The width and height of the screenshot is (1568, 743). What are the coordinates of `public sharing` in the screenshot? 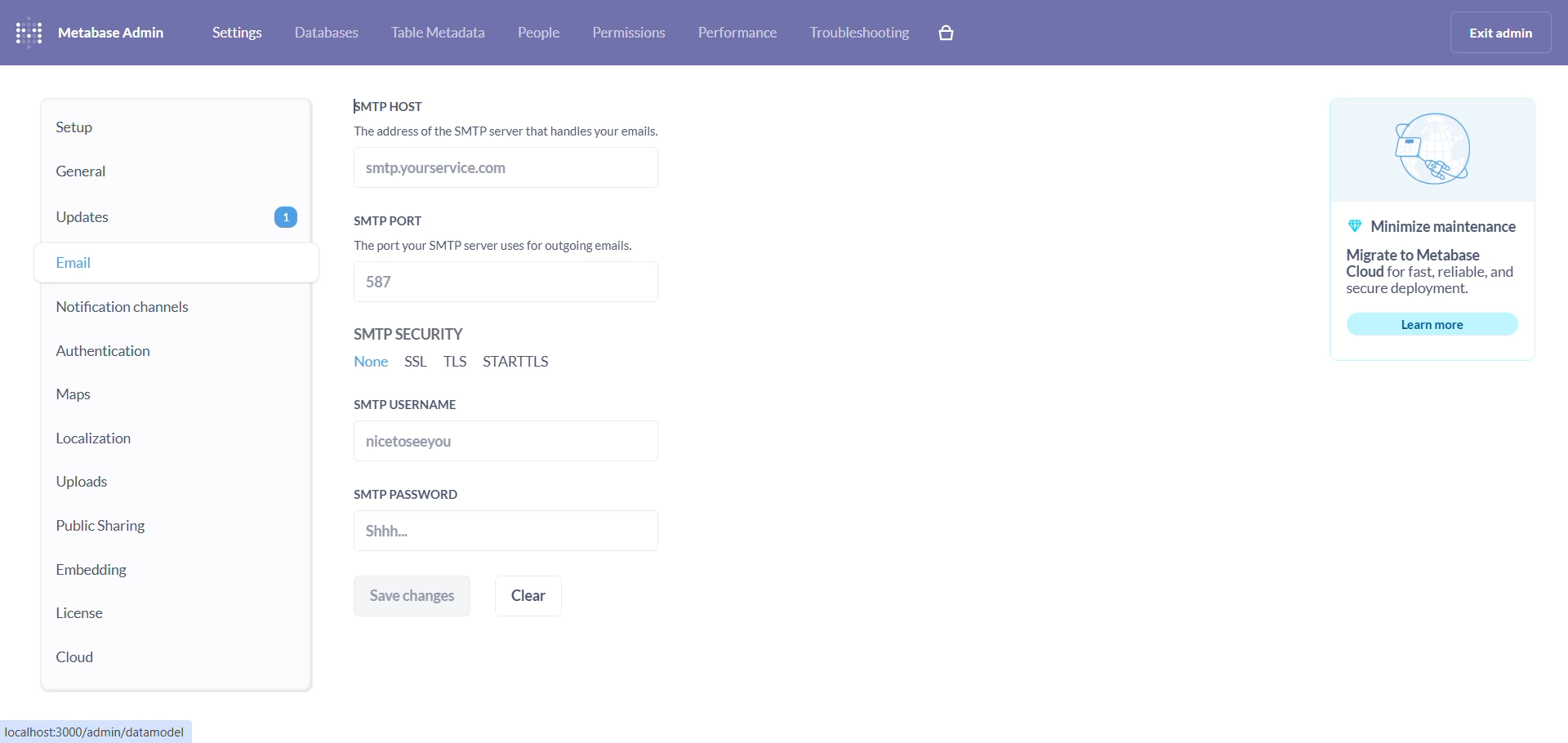 It's located at (145, 530).